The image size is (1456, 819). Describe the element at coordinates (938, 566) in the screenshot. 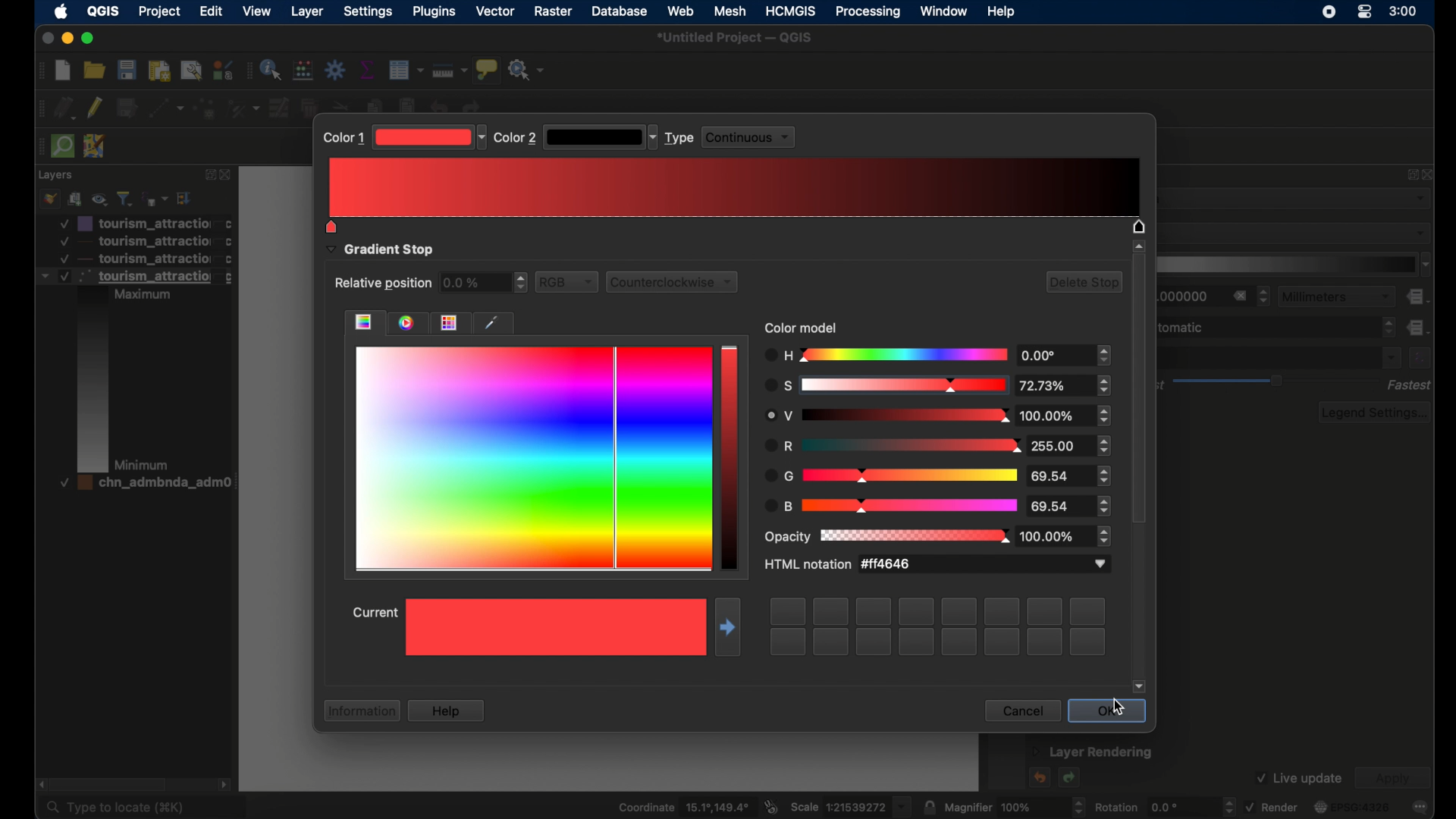

I see `HTML notation` at that location.